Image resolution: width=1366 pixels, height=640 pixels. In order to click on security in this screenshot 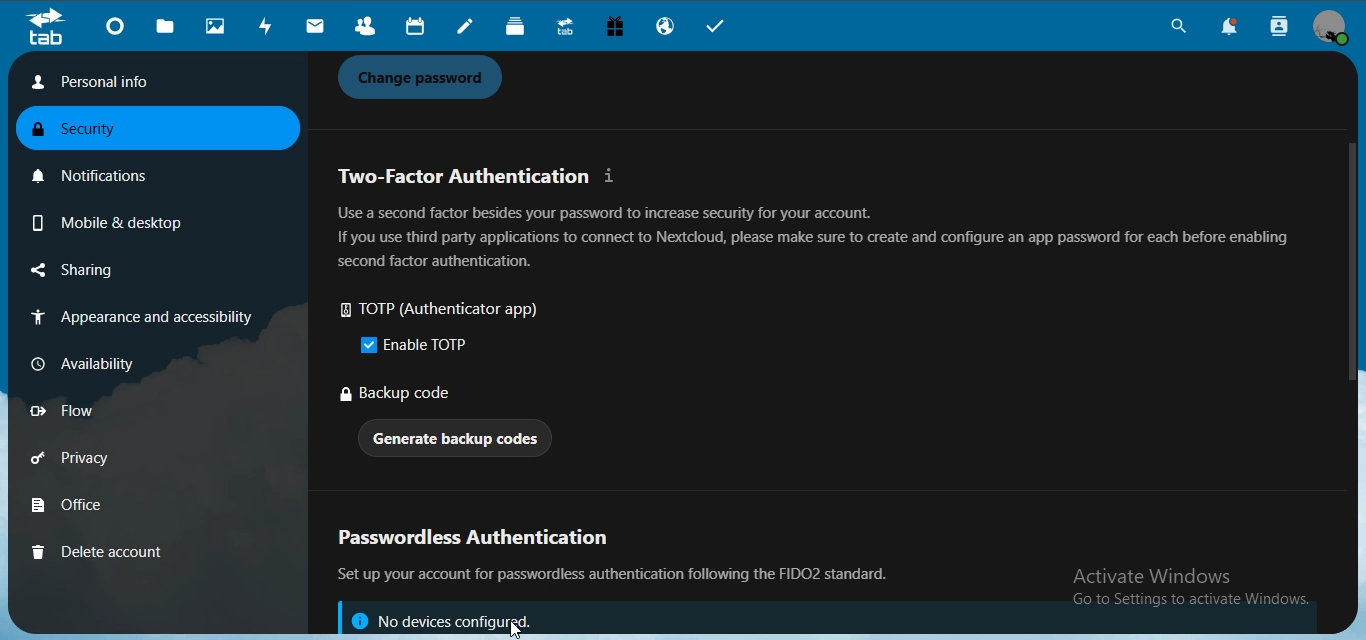, I will do `click(89, 131)`.